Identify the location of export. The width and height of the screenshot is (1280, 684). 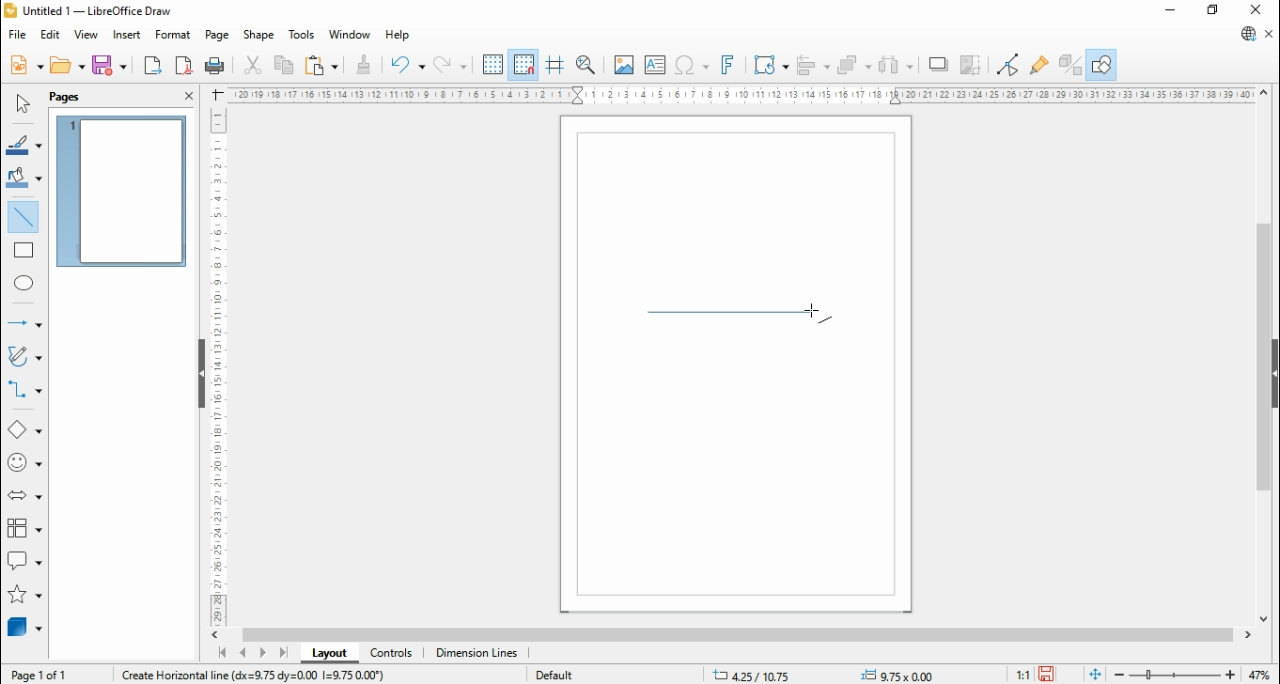
(152, 65).